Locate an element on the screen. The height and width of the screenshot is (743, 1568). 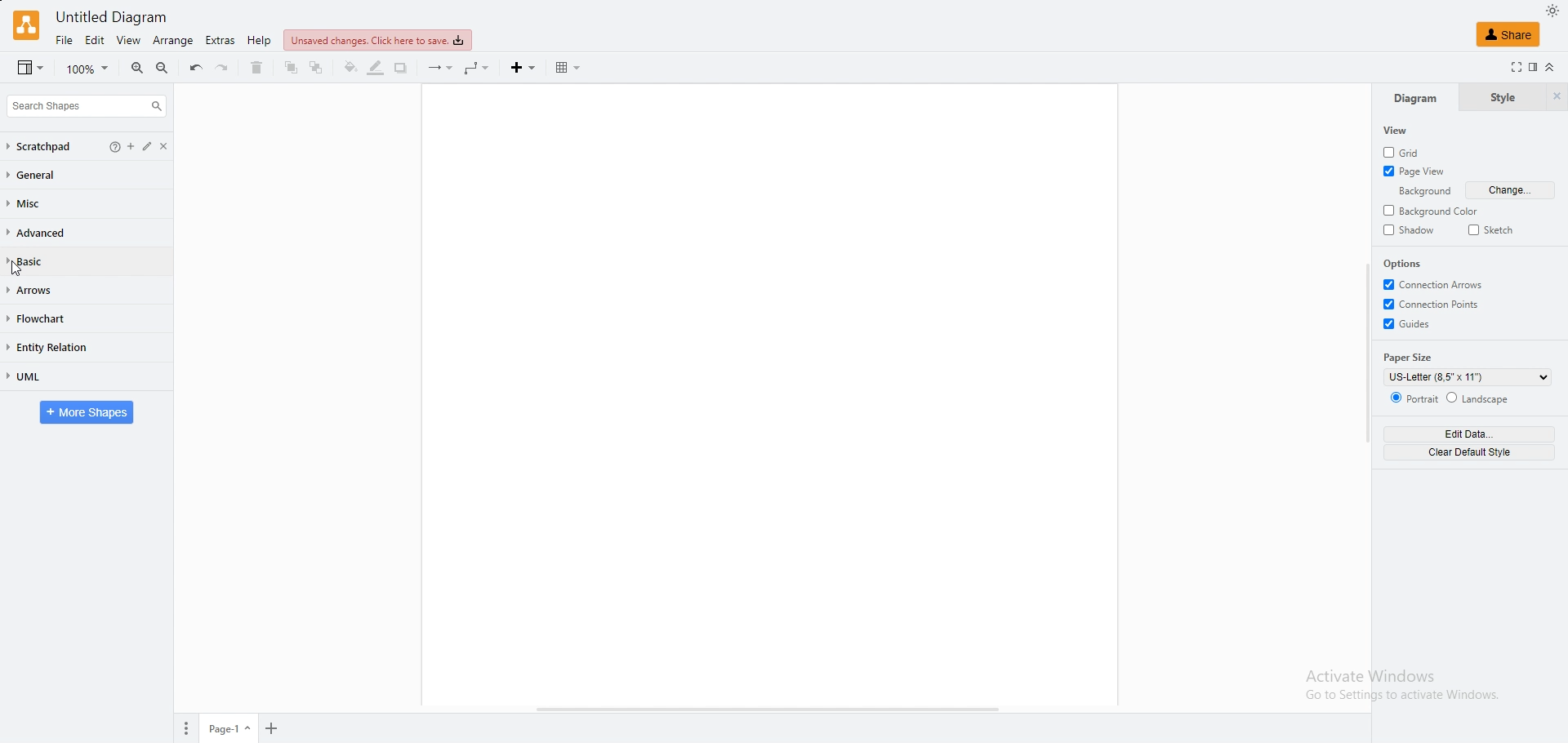
misc is located at coordinates (32, 204).